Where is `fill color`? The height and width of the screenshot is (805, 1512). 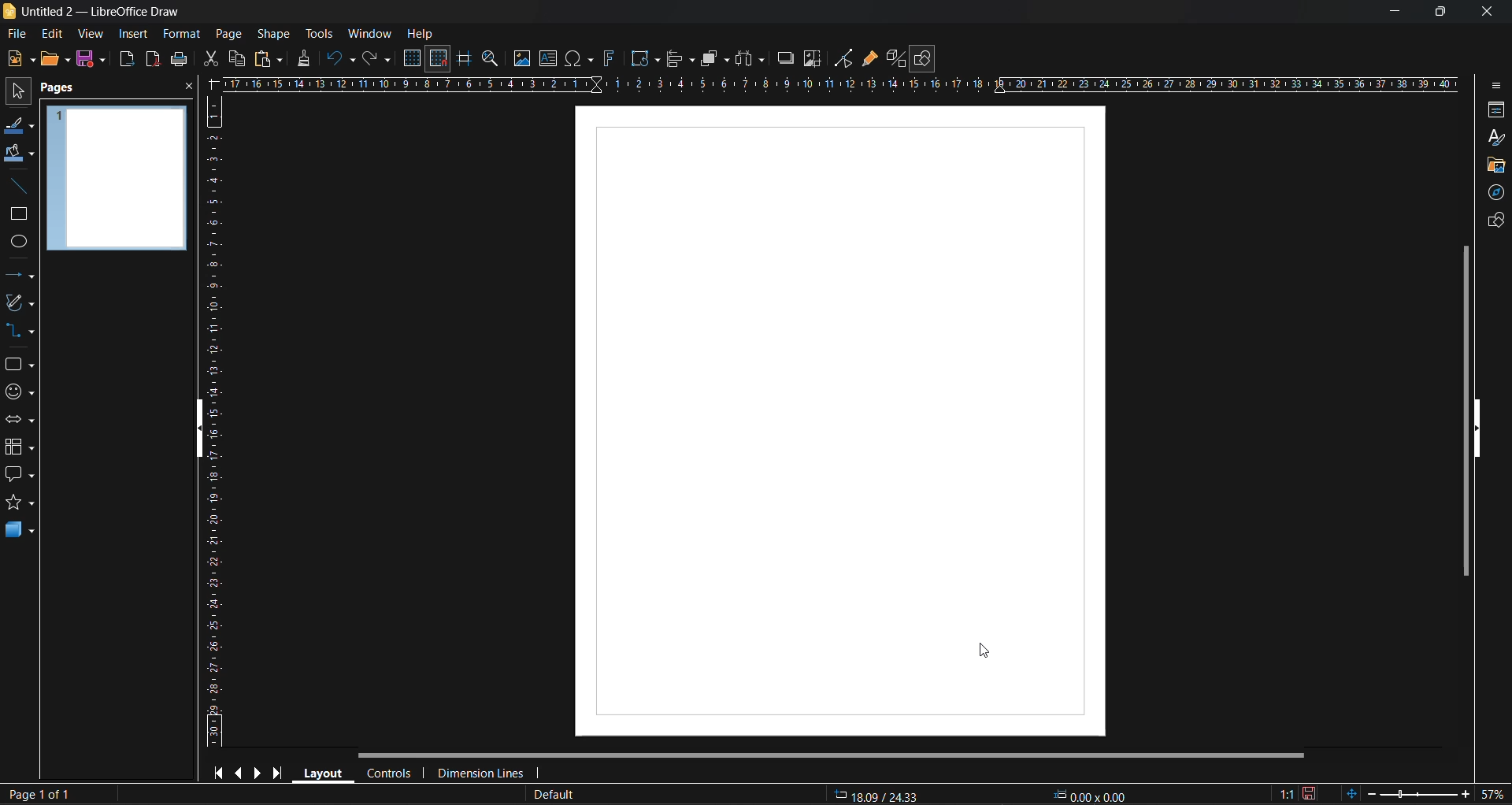 fill color is located at coordinates (18, 154).